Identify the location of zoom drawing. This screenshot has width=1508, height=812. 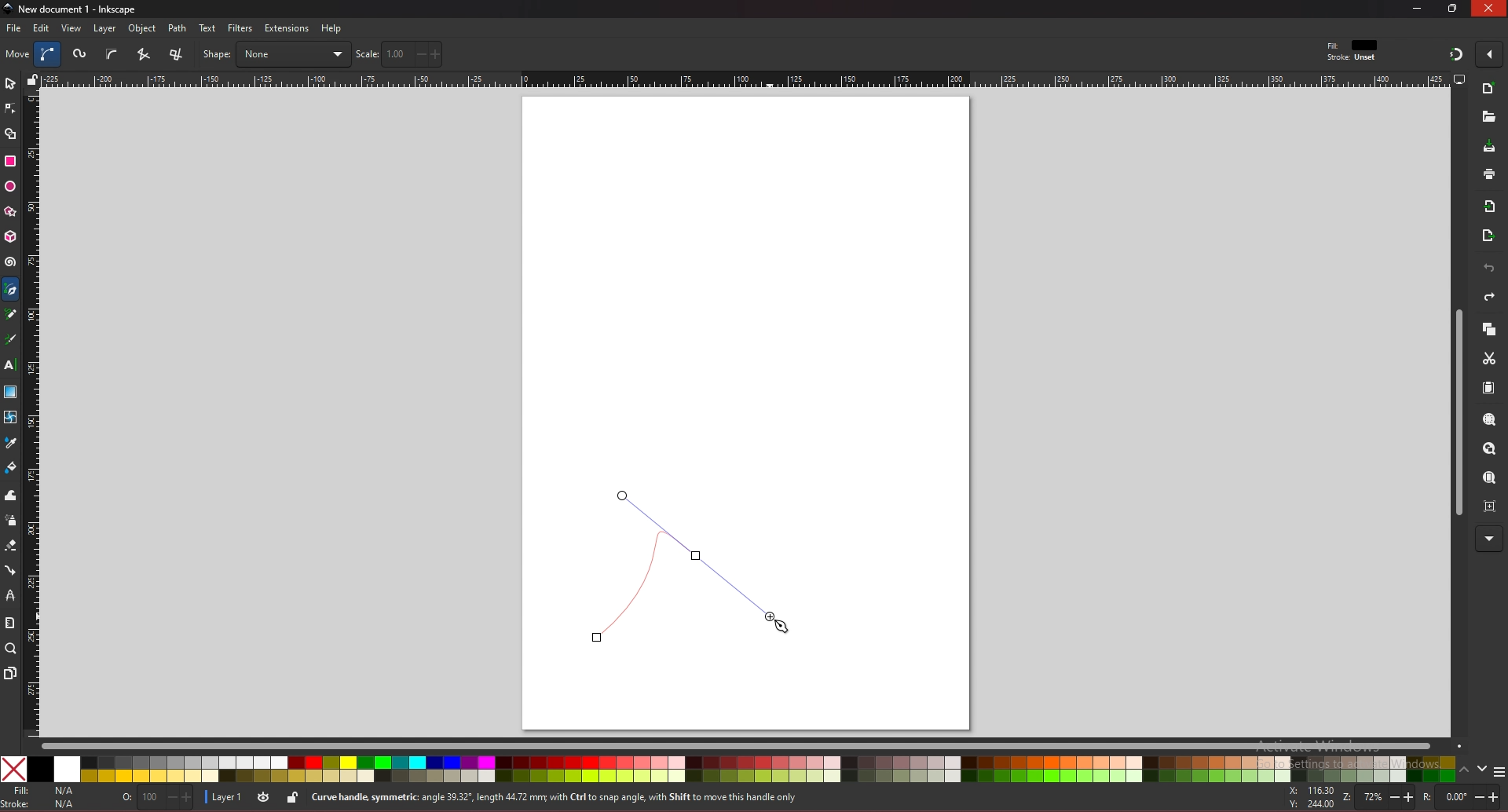
(1488, 449).